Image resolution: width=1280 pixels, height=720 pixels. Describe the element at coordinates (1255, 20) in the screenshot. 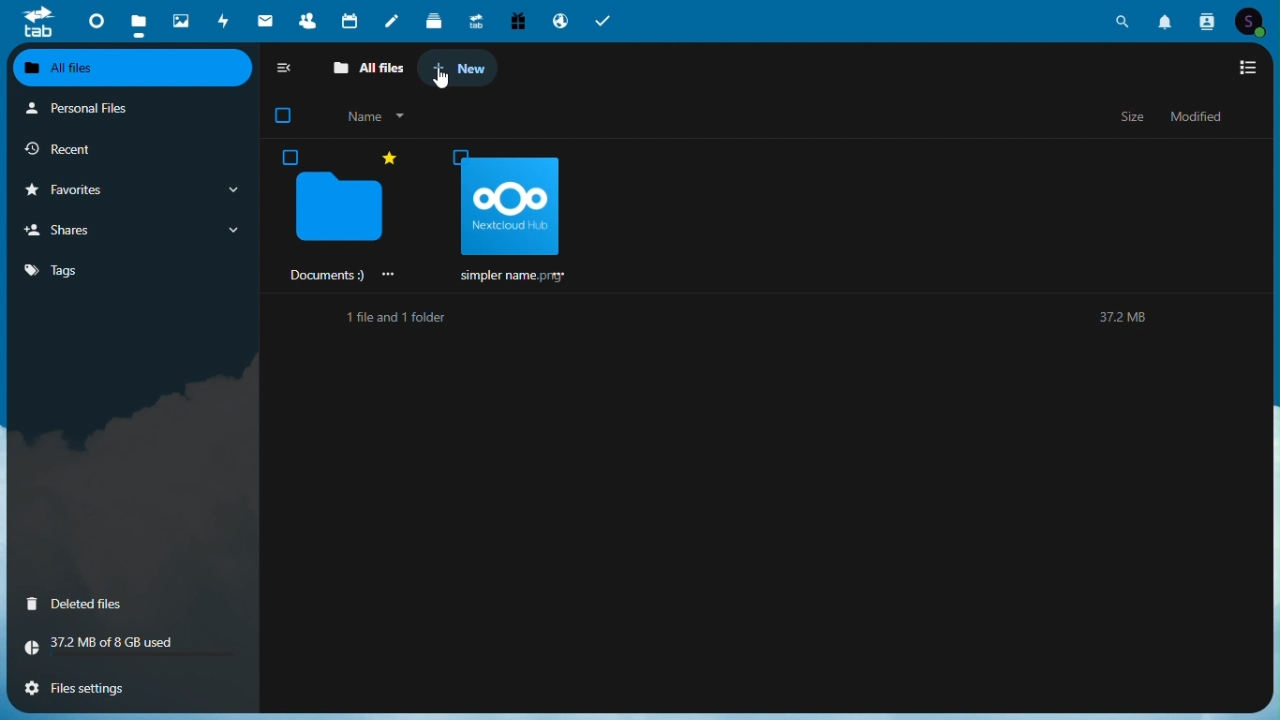

I see `Account icon` at that location.